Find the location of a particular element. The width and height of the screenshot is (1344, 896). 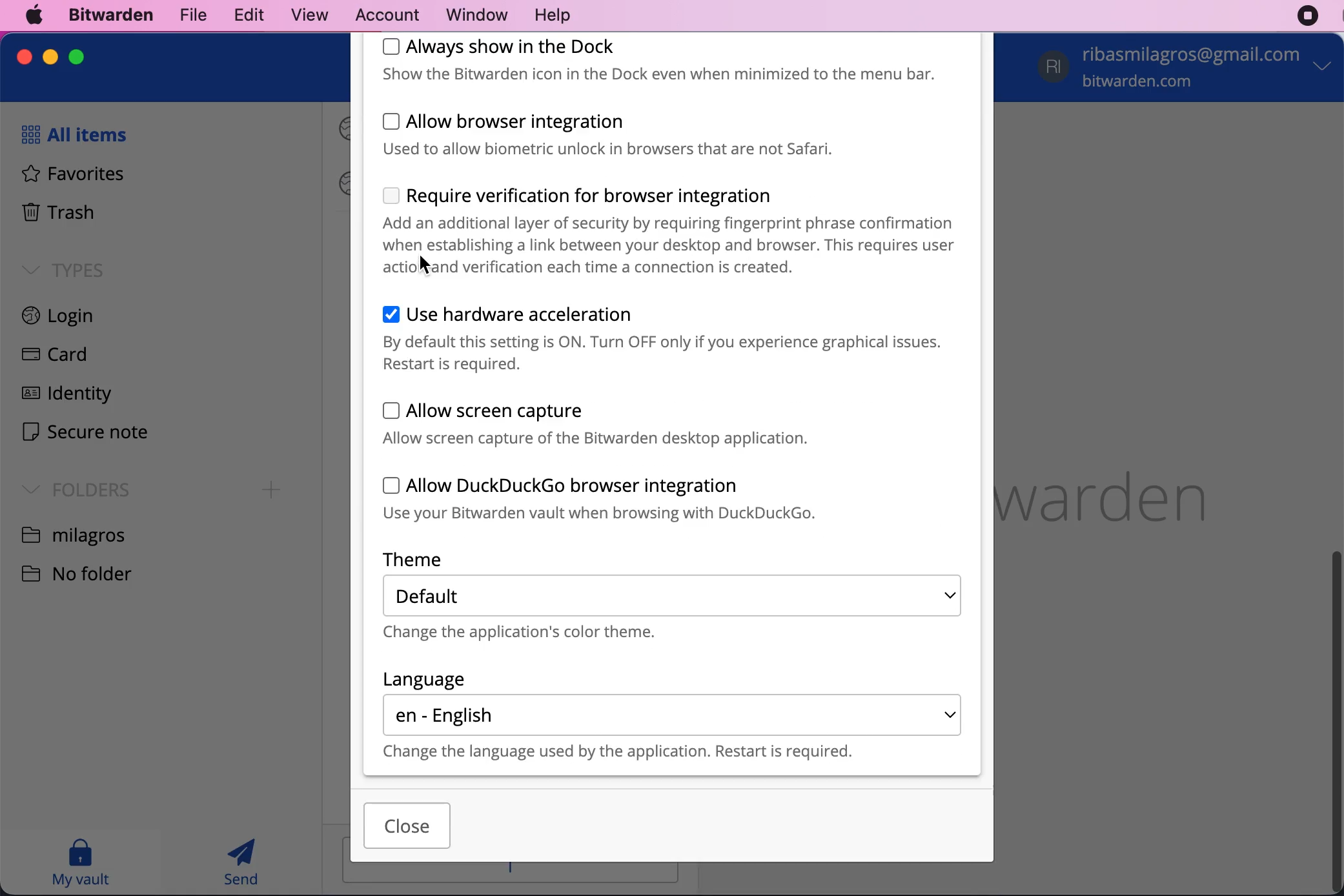

card is located at coordinates (50, 356).